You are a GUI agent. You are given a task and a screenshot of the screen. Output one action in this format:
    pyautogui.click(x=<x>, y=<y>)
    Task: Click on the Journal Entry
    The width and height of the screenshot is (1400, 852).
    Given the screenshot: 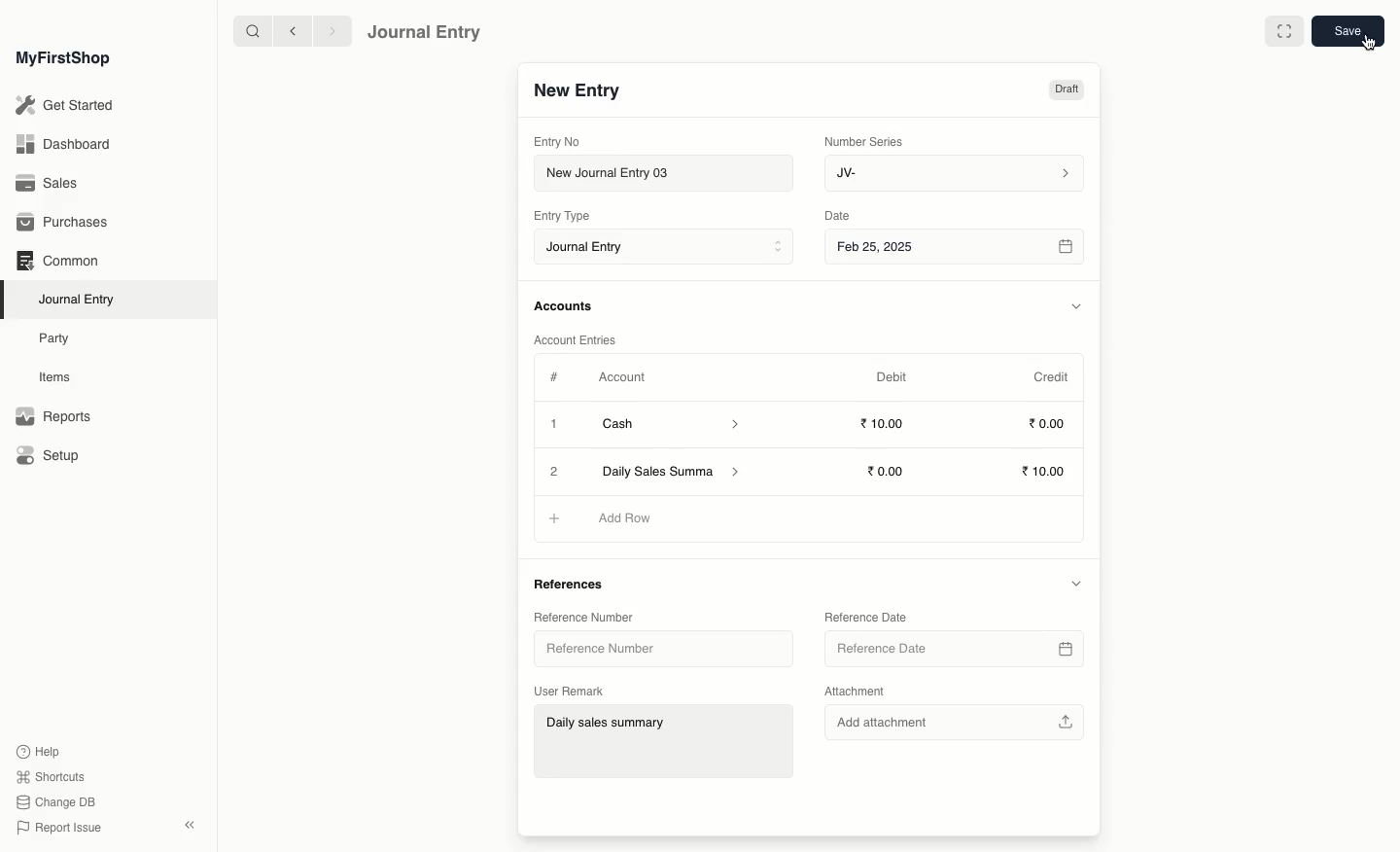 What is the action you would take?
    pyautogui.click(x=425, y=31)
    